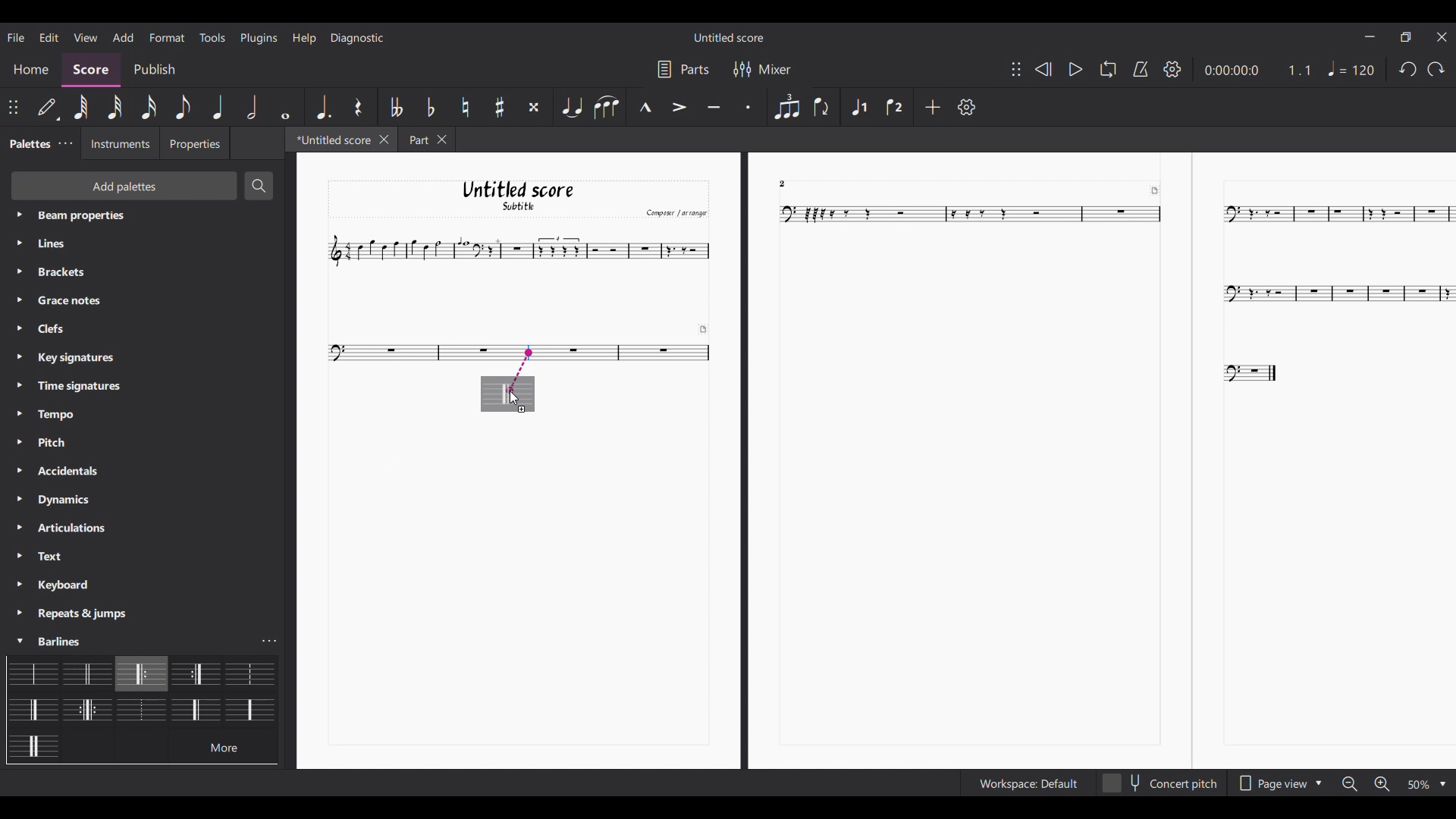 This screenshot has height=819, width=1456. I want to click on Add palette, so click(126, 185).